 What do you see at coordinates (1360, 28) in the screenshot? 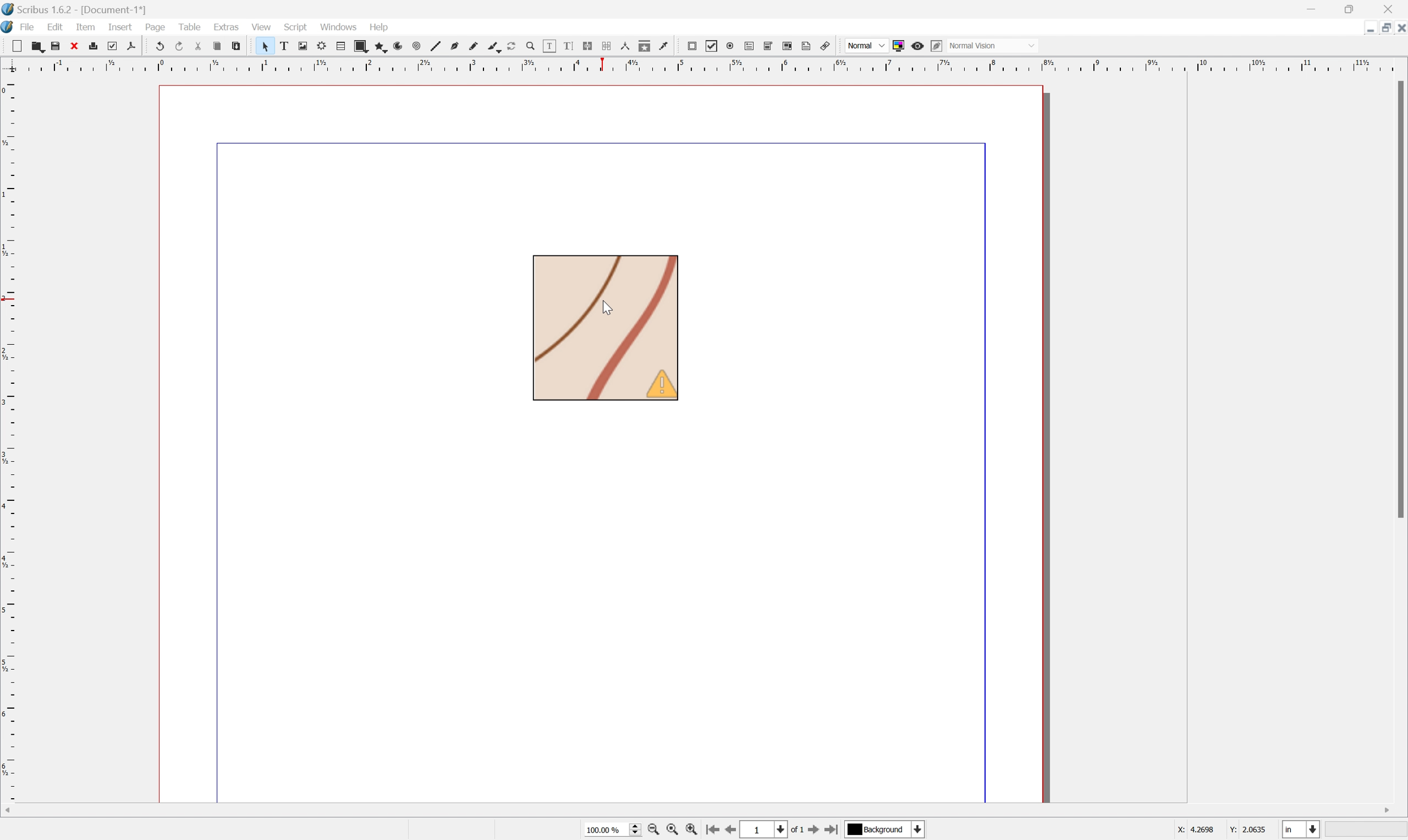
I see `Minimize` at bounding box center [1360, 28].